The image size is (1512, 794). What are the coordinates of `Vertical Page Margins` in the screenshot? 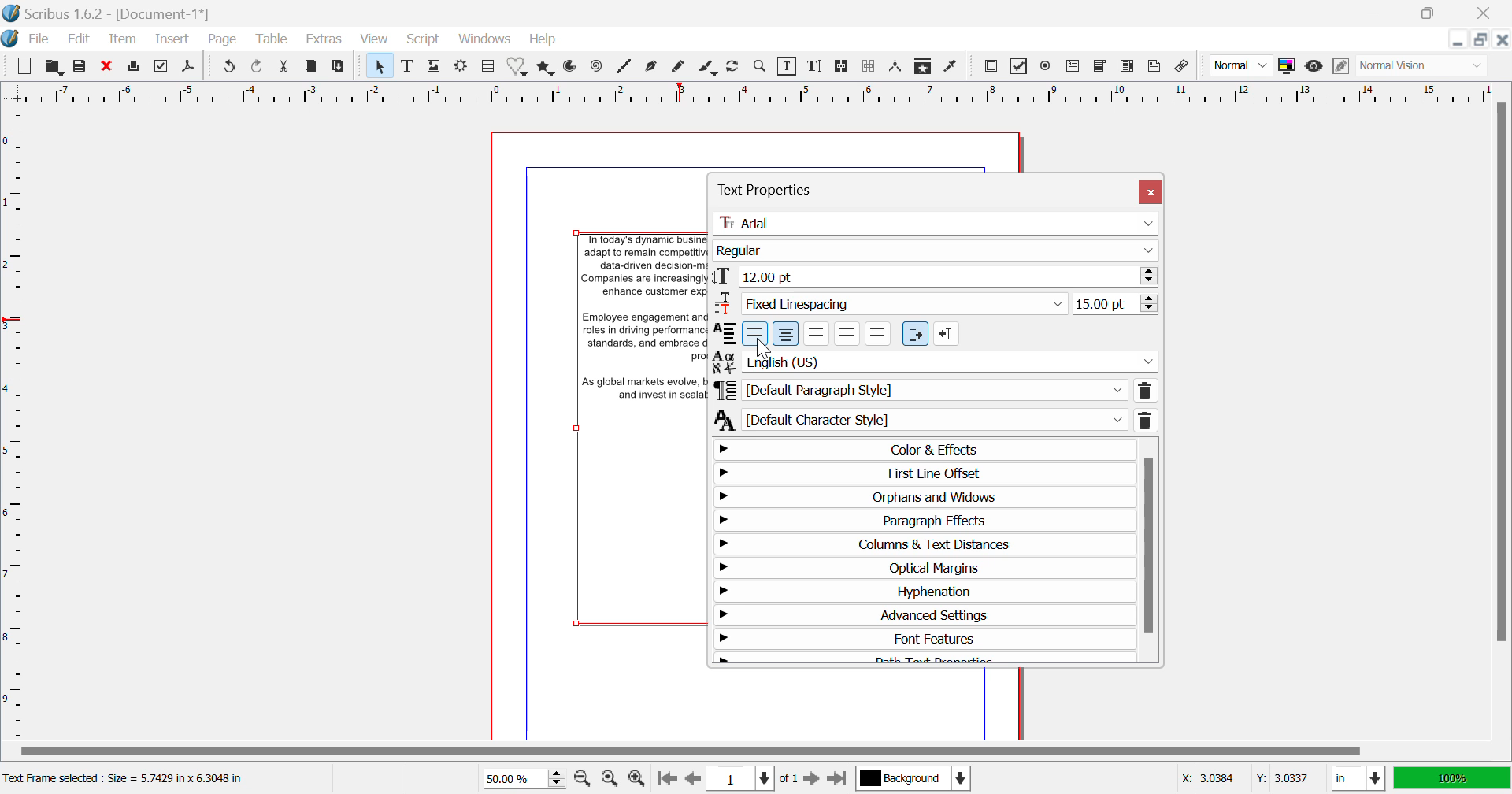 It's located at (752, 91).